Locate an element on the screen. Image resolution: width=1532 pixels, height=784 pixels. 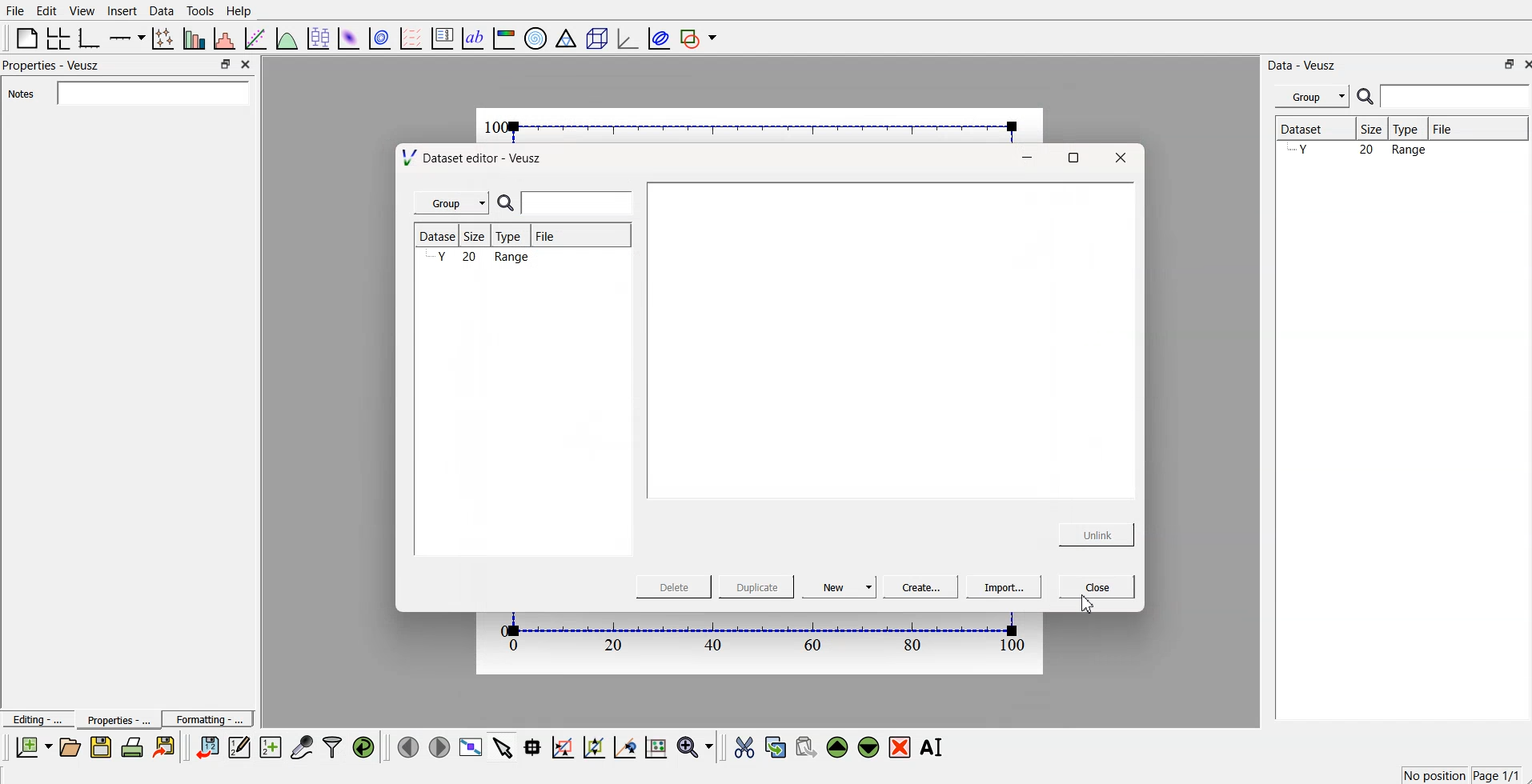
plot a function is located at coordinates (287, 38).